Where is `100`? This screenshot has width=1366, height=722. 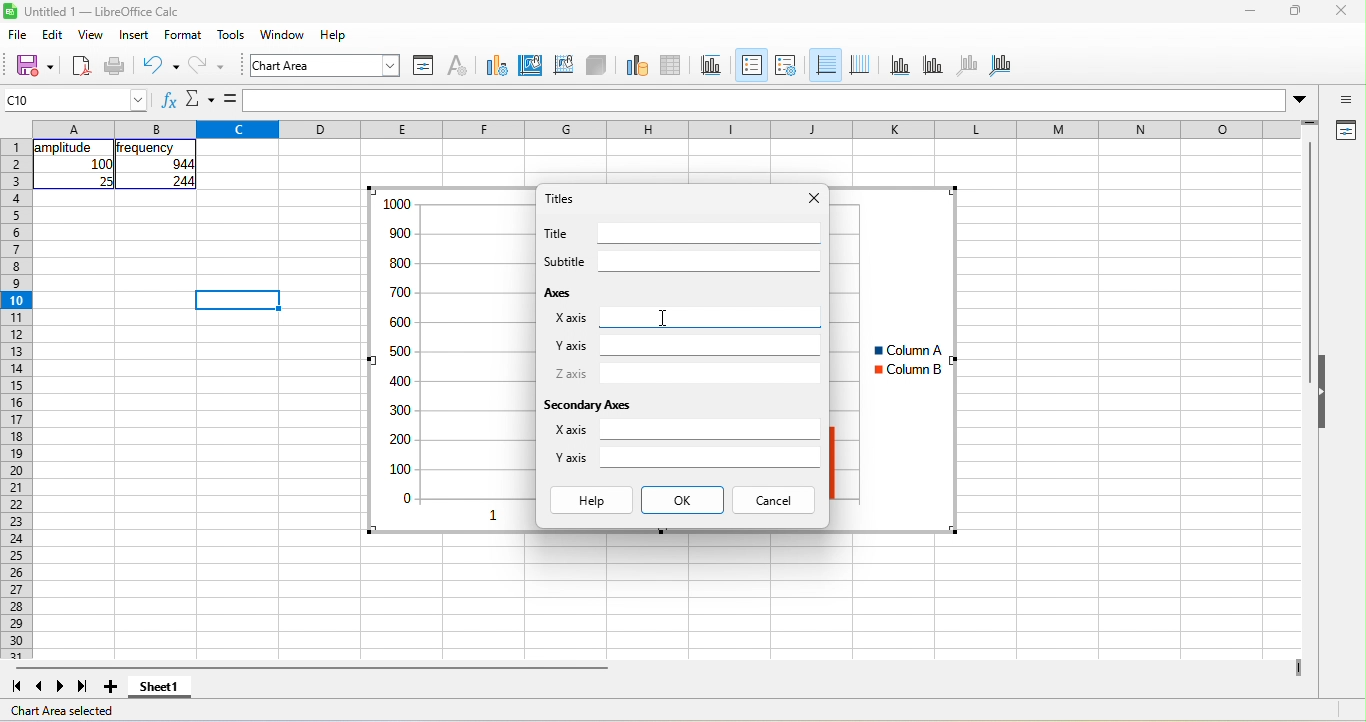 100 is located at coordinates (101, 164).